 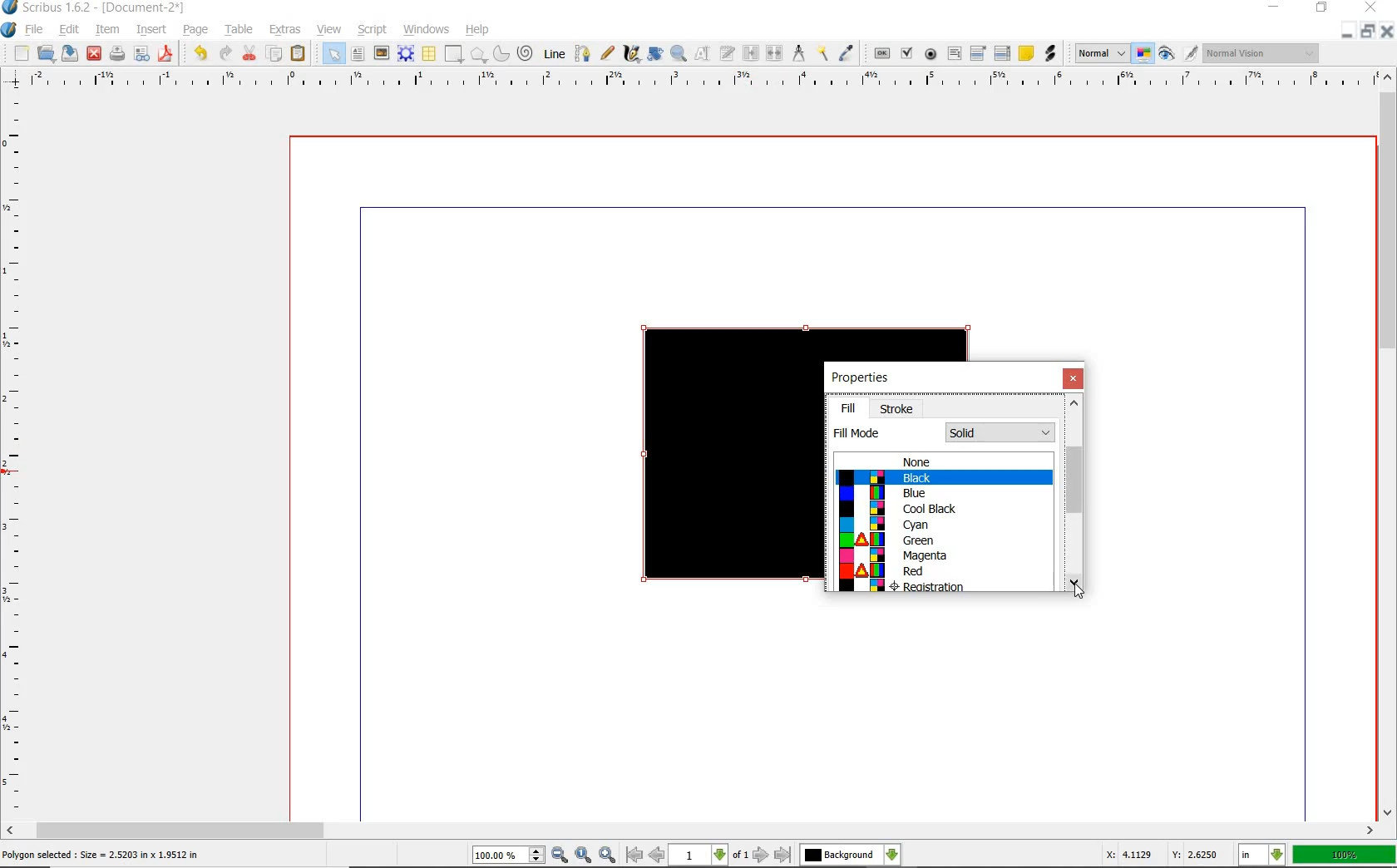 I want to click on 100%, so click(x=1344, y=856).